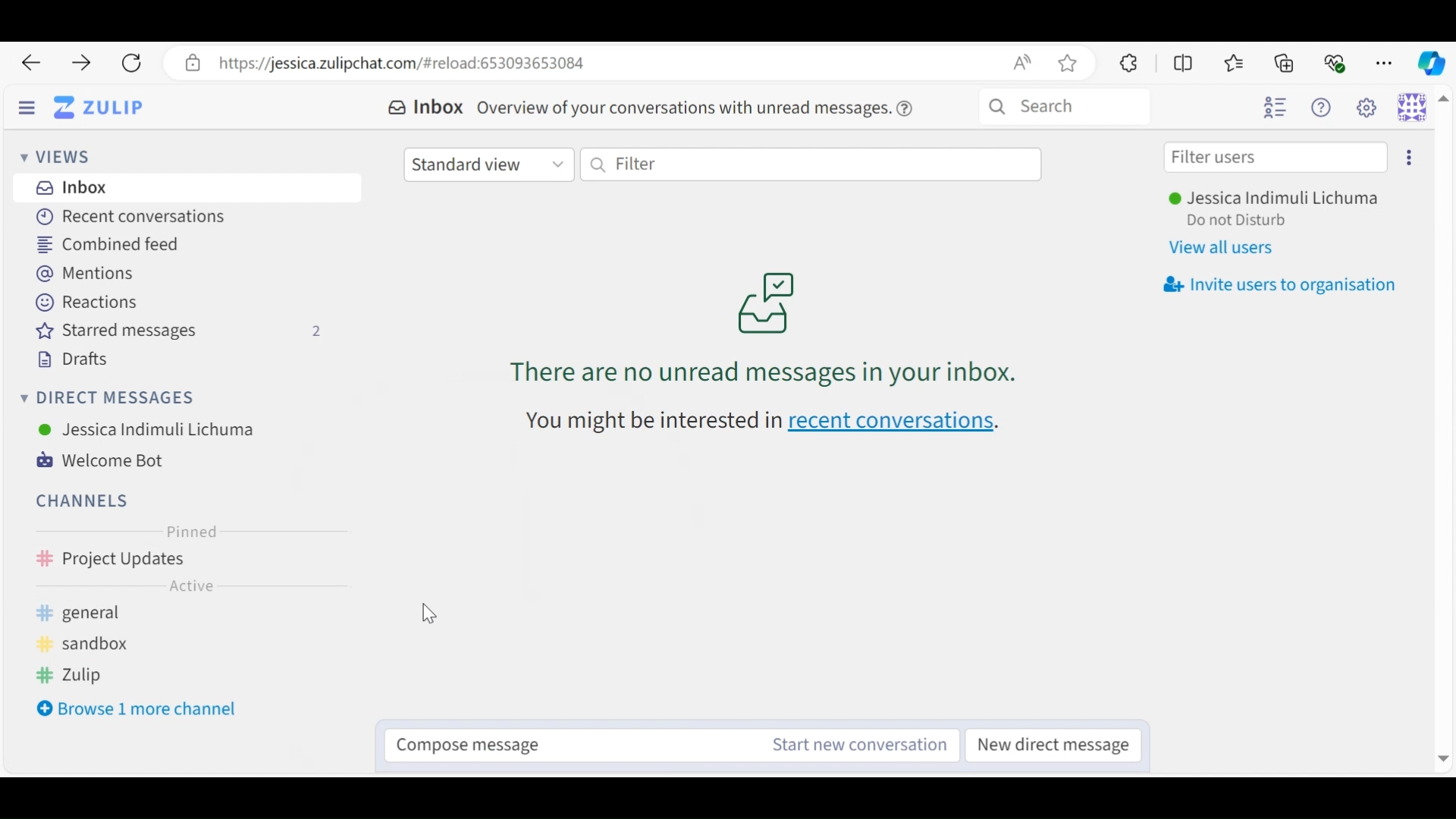  Describe the element at coordinates (1126, 62) in the screenshot. I see `Extension` at that location.